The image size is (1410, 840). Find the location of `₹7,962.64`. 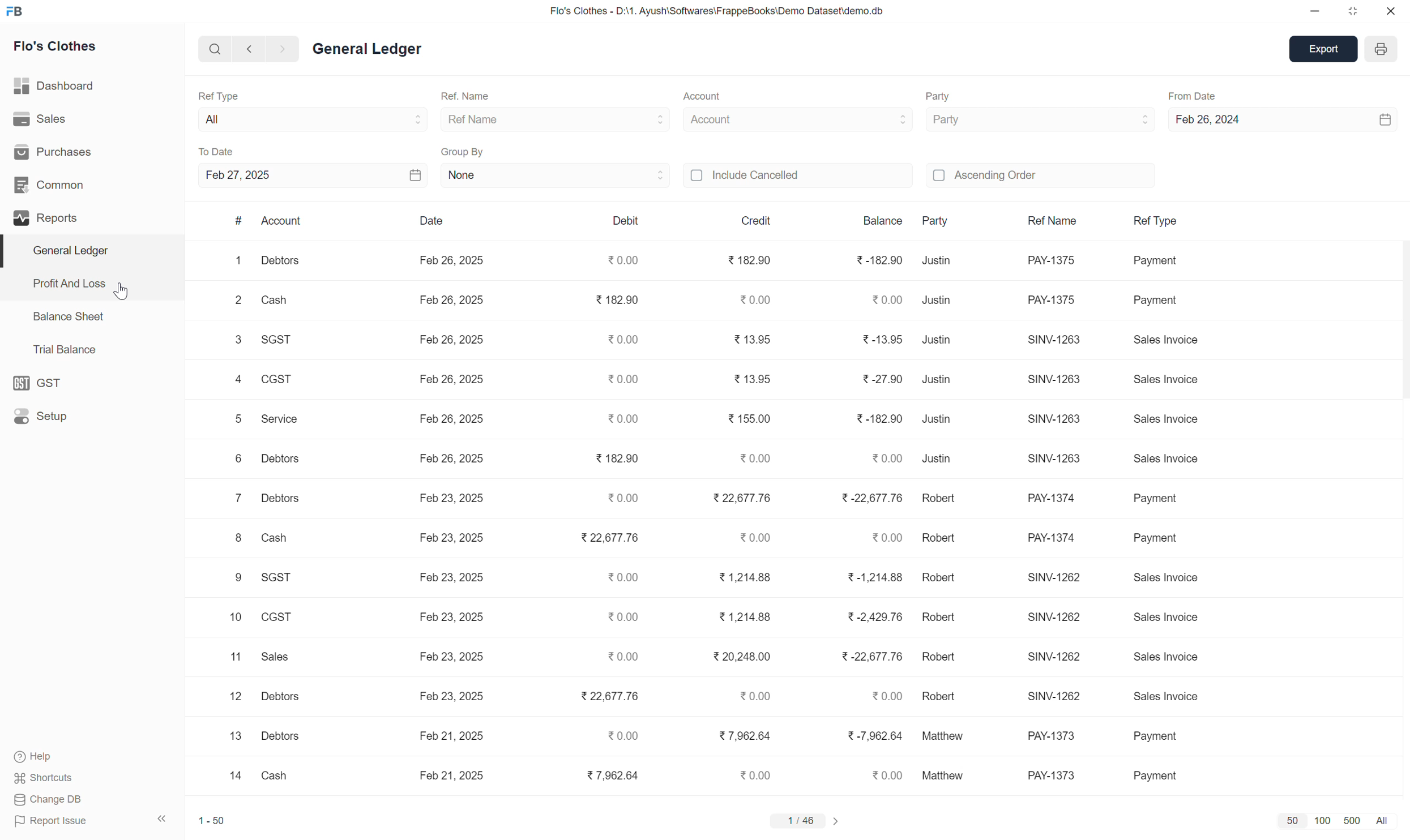

₹7,962.64 is located at coordinates (742, 736).